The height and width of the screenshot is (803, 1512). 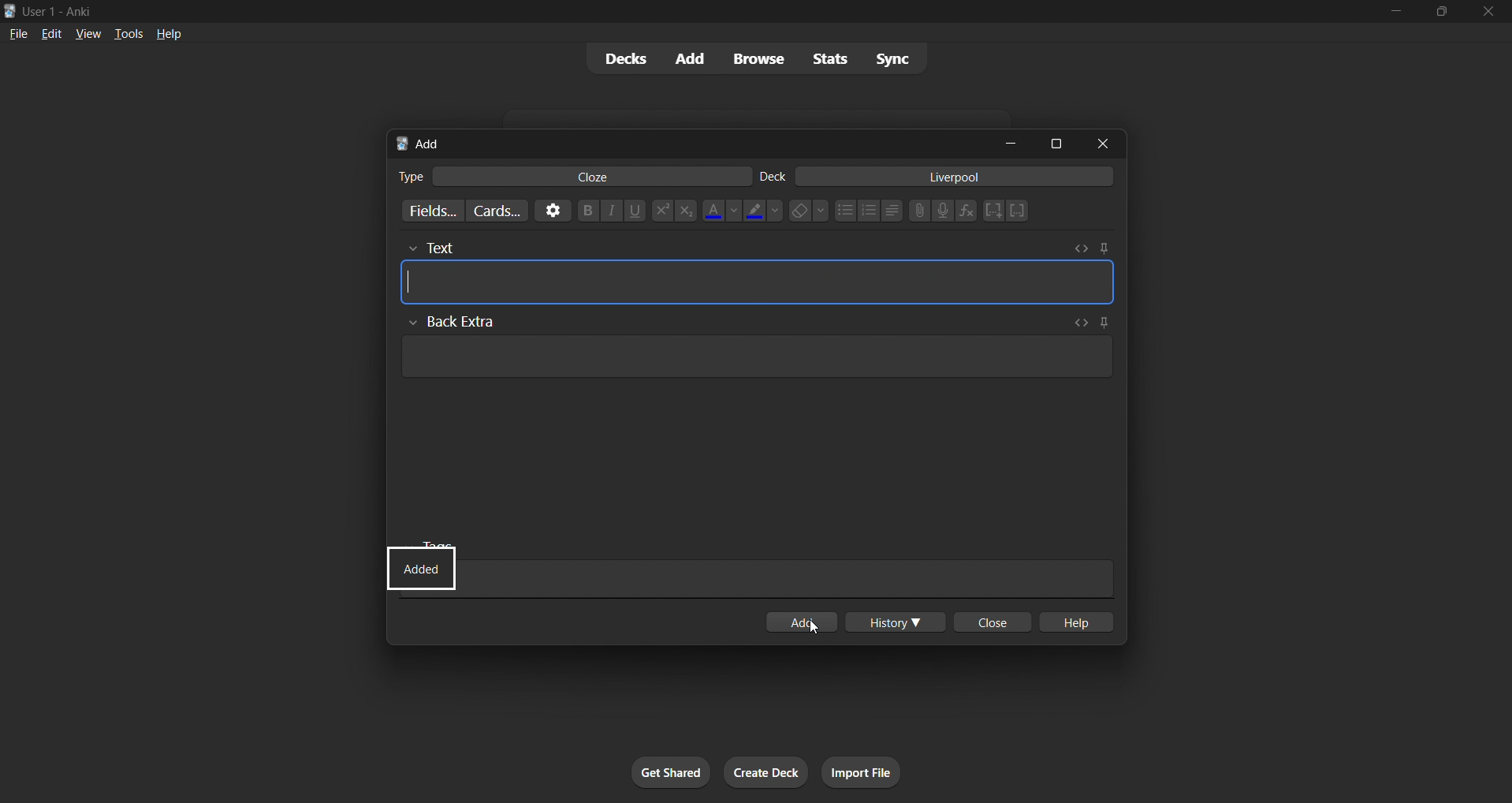 What do you see at coordinates (683, 216) in the screenshot?
I see `subscript` at bounding box center [683, 216].